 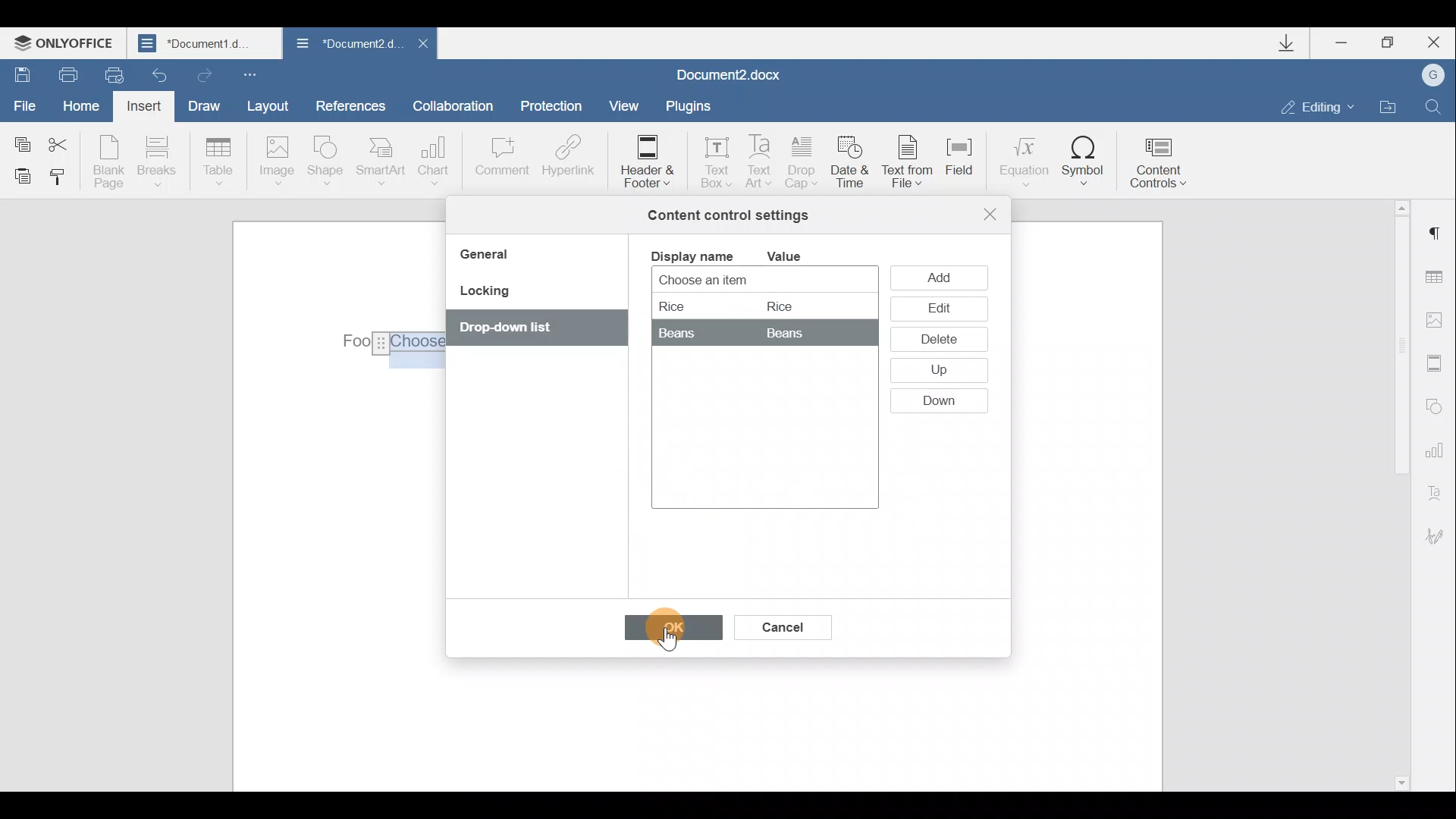 What do you see at coordinates (693, 106) in the screenshot?
I see `Plugins` at bounding box center [693, 106].